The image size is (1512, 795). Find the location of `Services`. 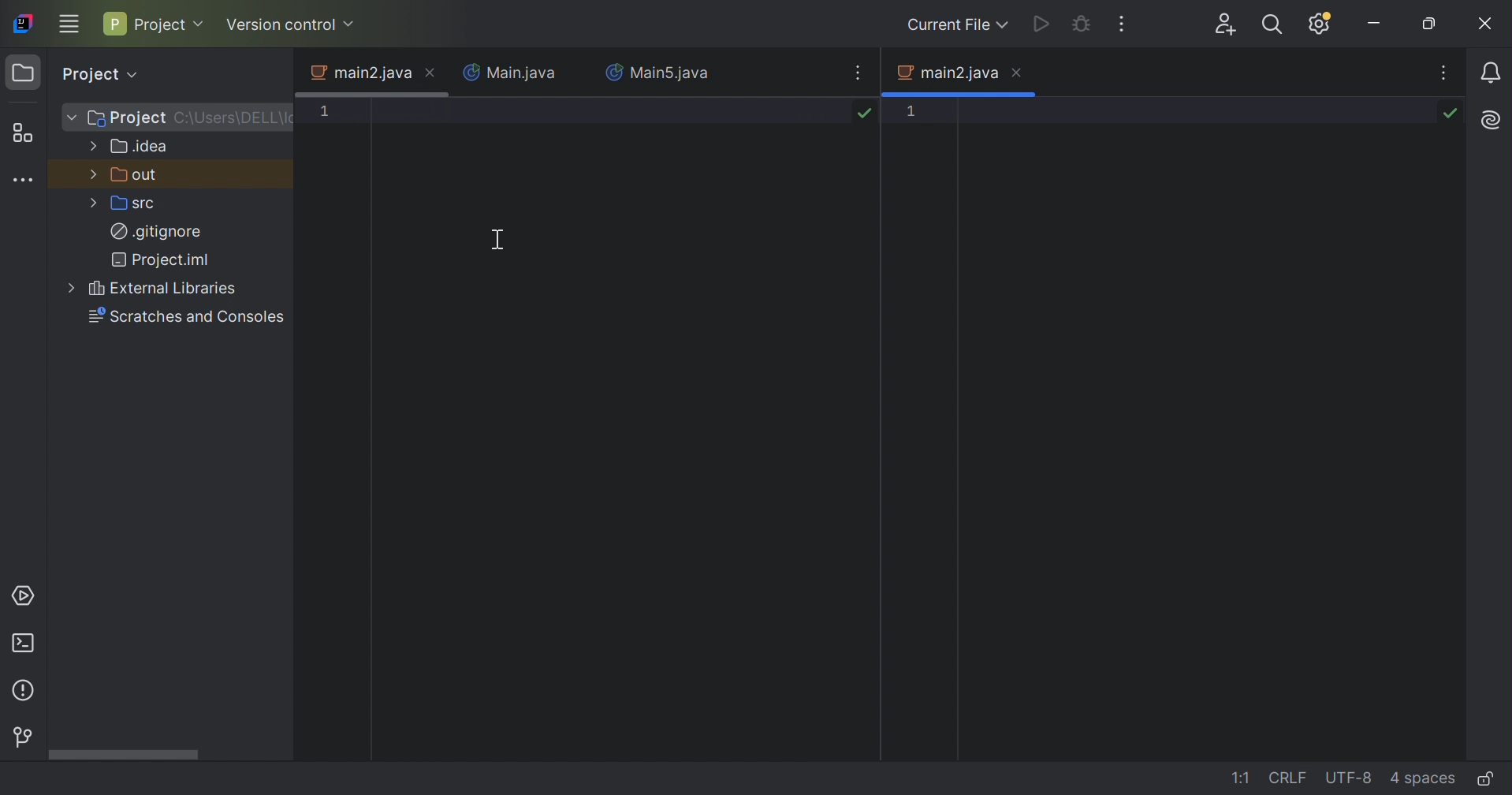

Services is located at coordinates (20, 598).